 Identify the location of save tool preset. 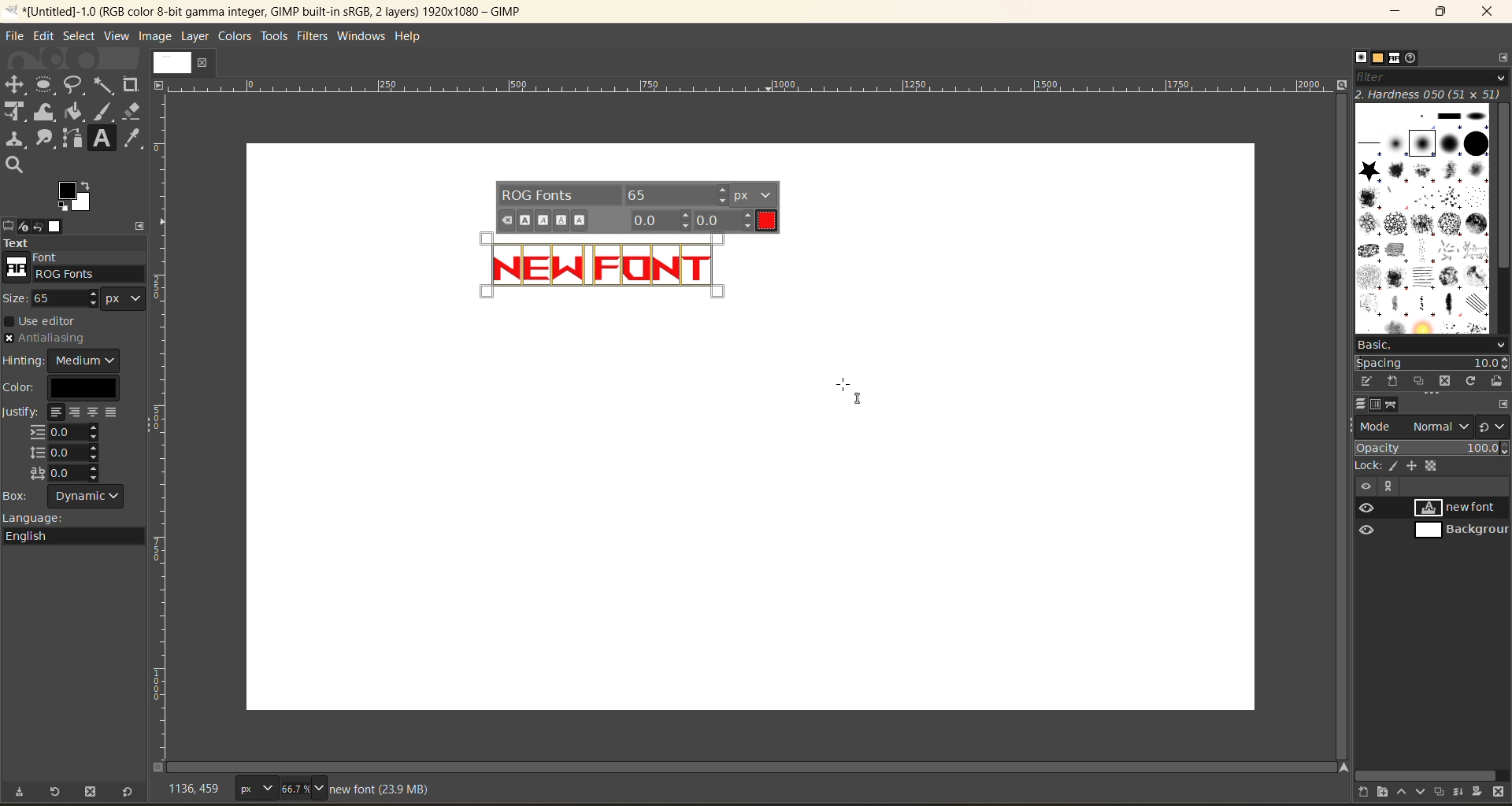
(24, 790).